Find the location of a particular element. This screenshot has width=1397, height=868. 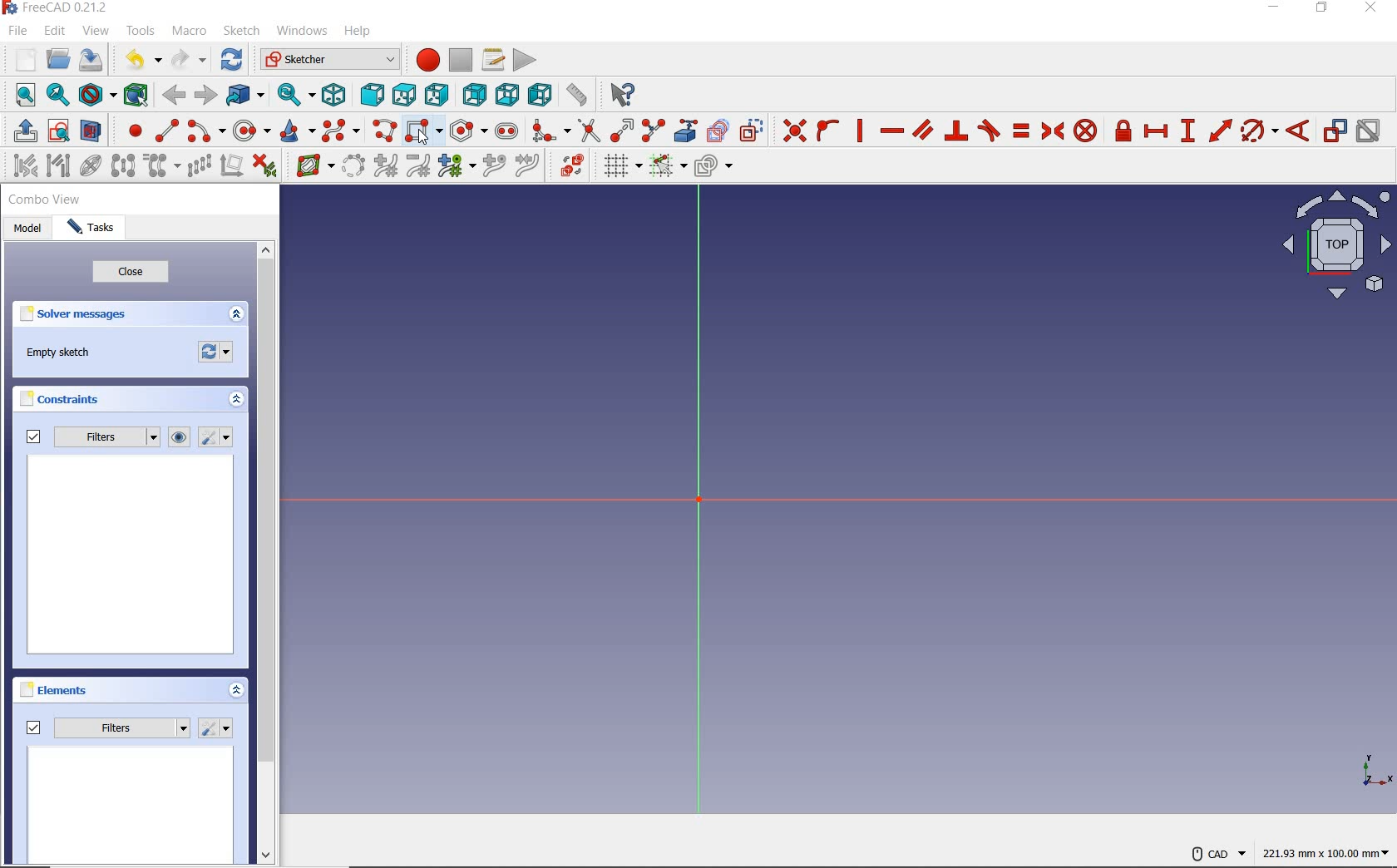

refresh is located at coordinates (233, 61).